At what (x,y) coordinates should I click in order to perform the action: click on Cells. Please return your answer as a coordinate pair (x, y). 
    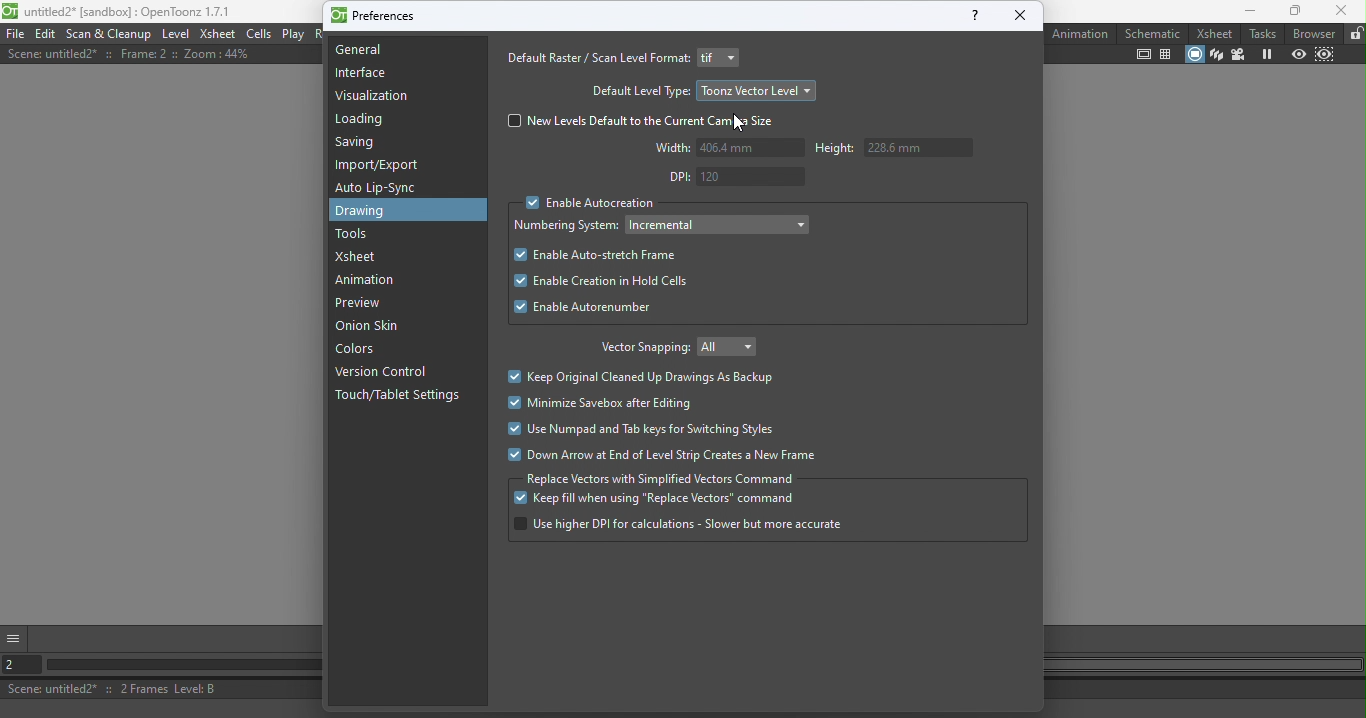
    Looking at the image, I should click on (259, 34).